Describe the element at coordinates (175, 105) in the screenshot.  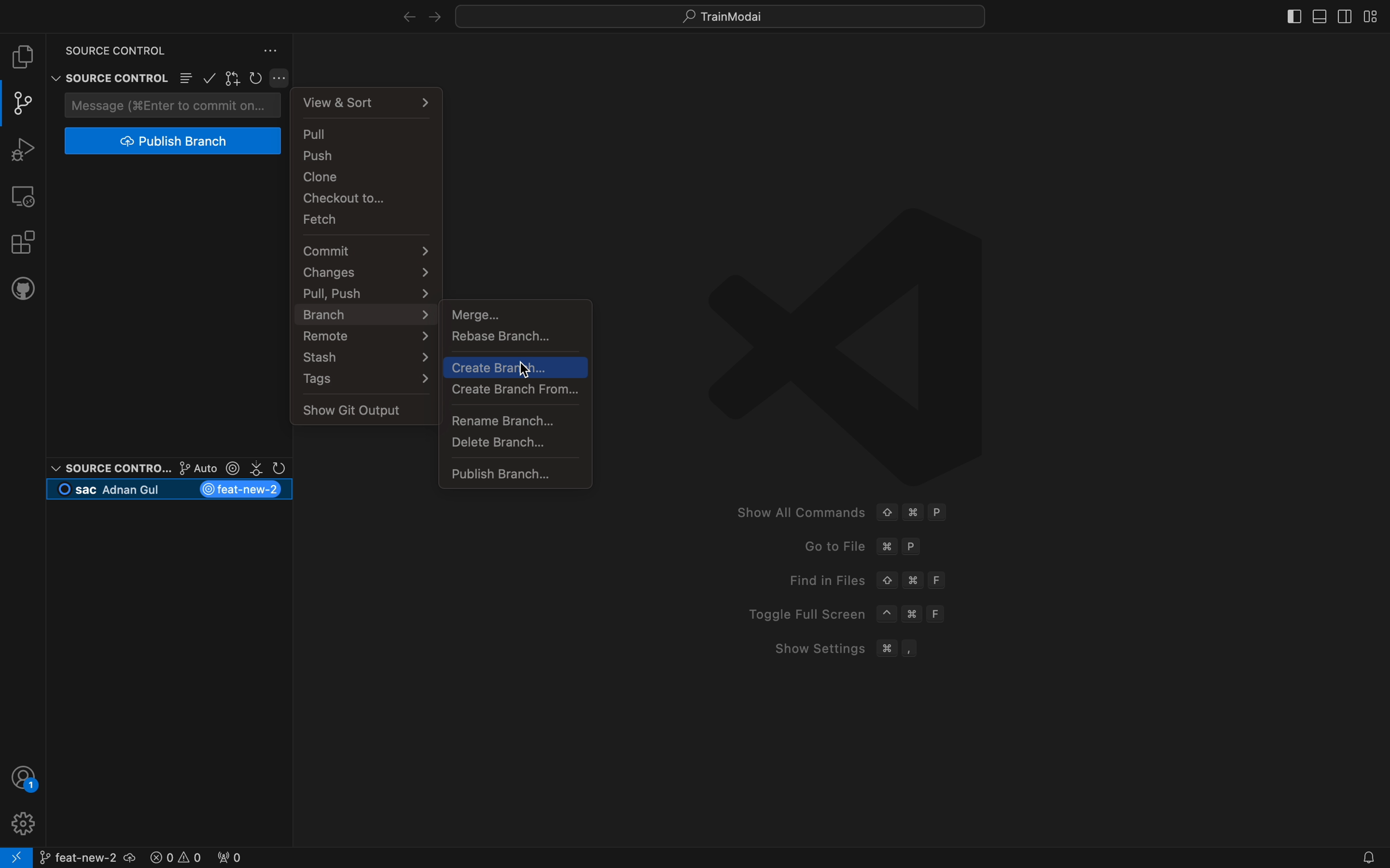
I see `commit message` at that location.